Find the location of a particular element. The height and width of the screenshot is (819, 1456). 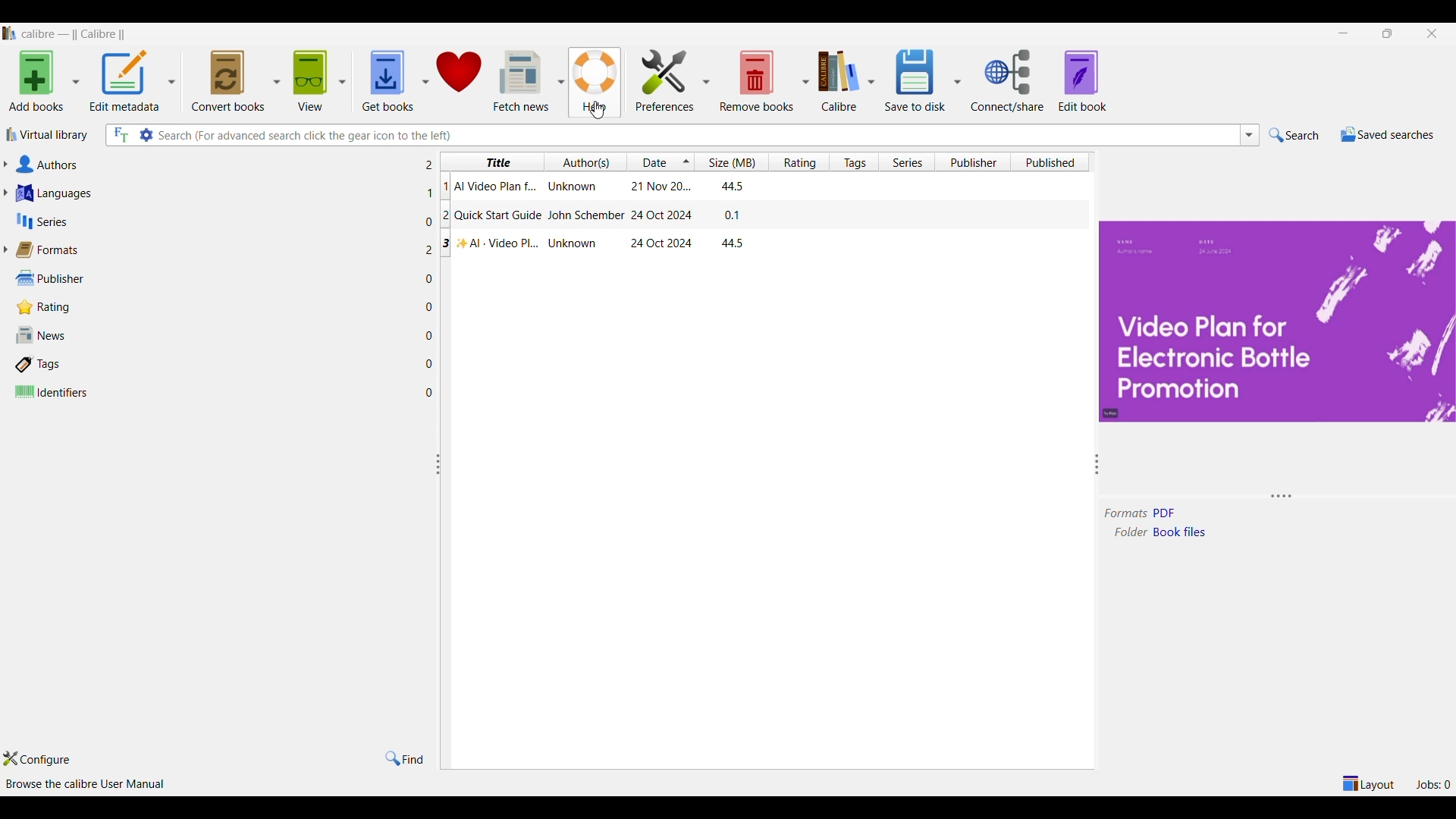

Help is located at coordinates (595, 83).